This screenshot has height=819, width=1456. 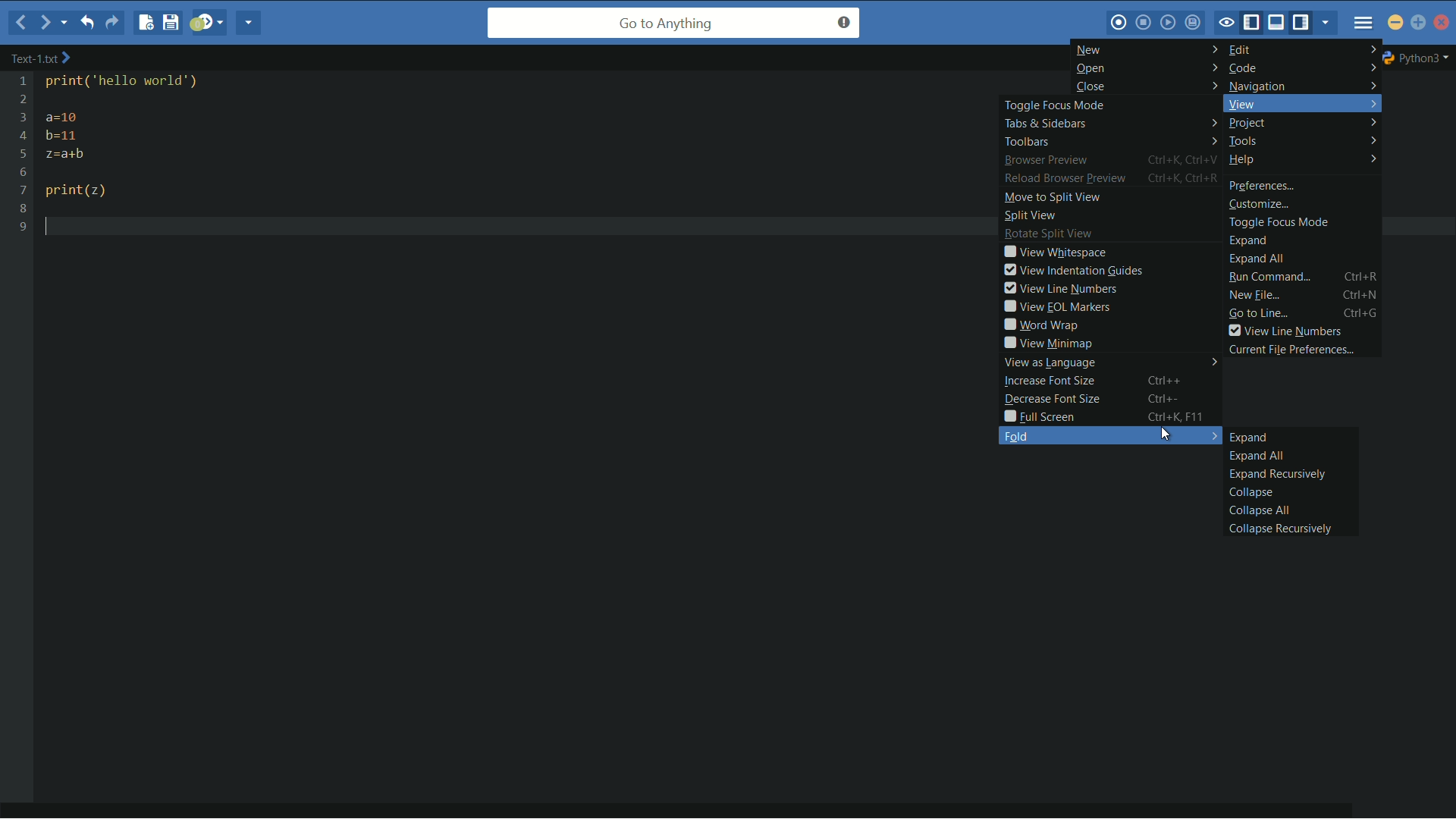 I want to click on tools, so click(x=1303, y=140).